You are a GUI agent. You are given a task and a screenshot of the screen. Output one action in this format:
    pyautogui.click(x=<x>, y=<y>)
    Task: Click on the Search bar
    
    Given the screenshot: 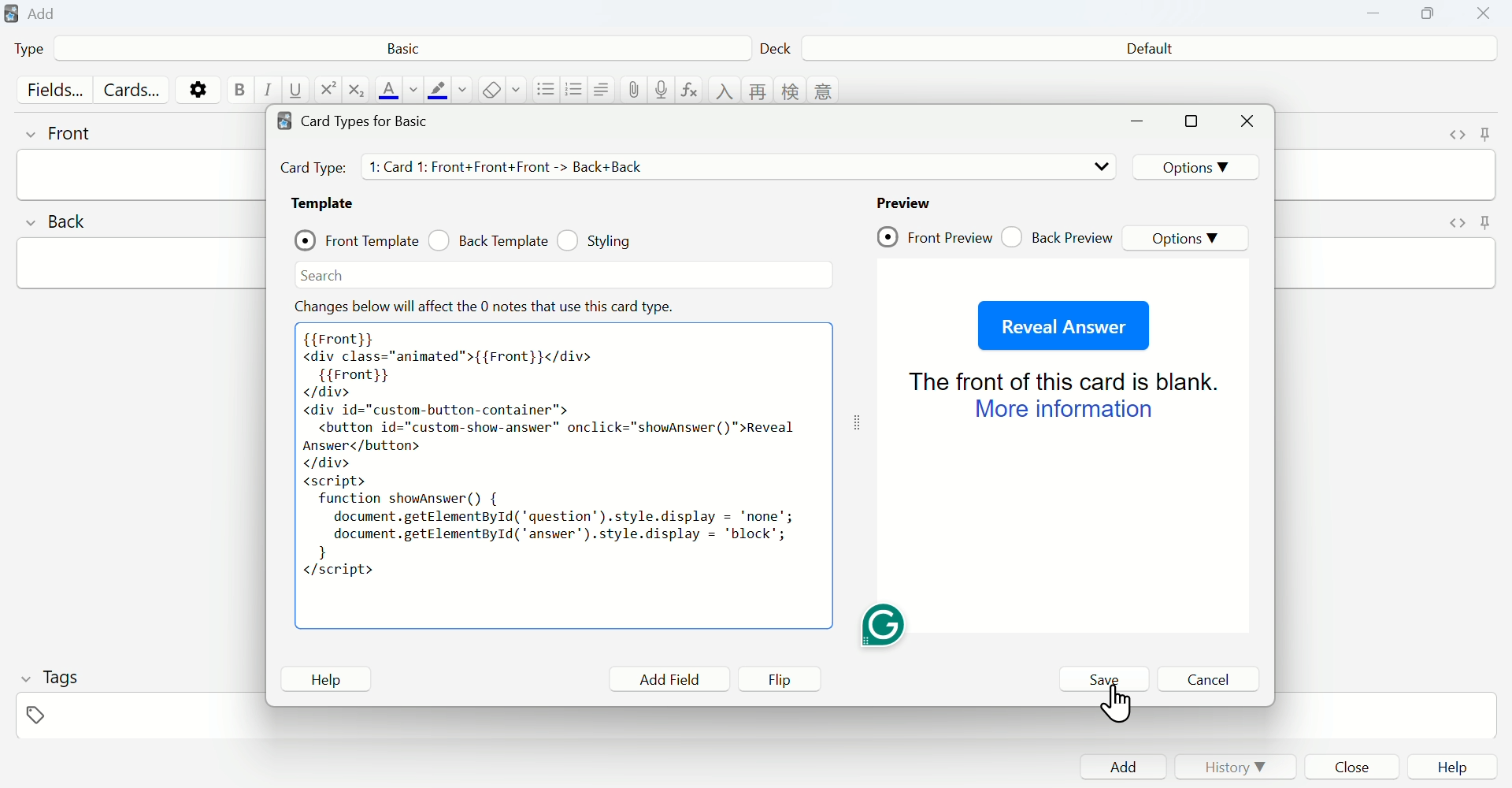 What is the action you would take?
    pyautogui.click(x=564, y=274)
    